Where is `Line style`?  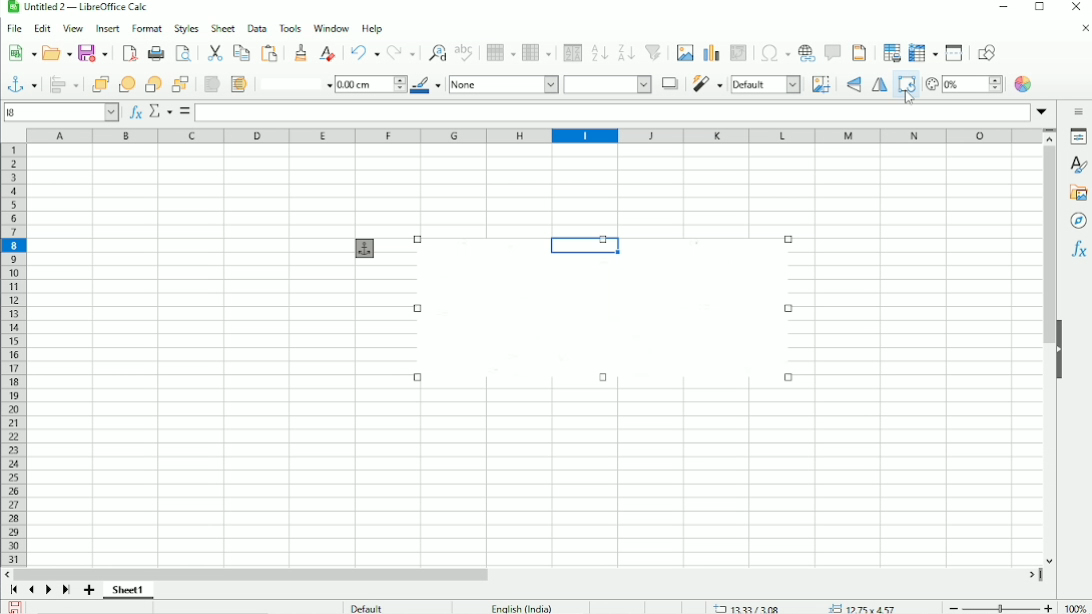
Line style is located at coordinates (292, 84).